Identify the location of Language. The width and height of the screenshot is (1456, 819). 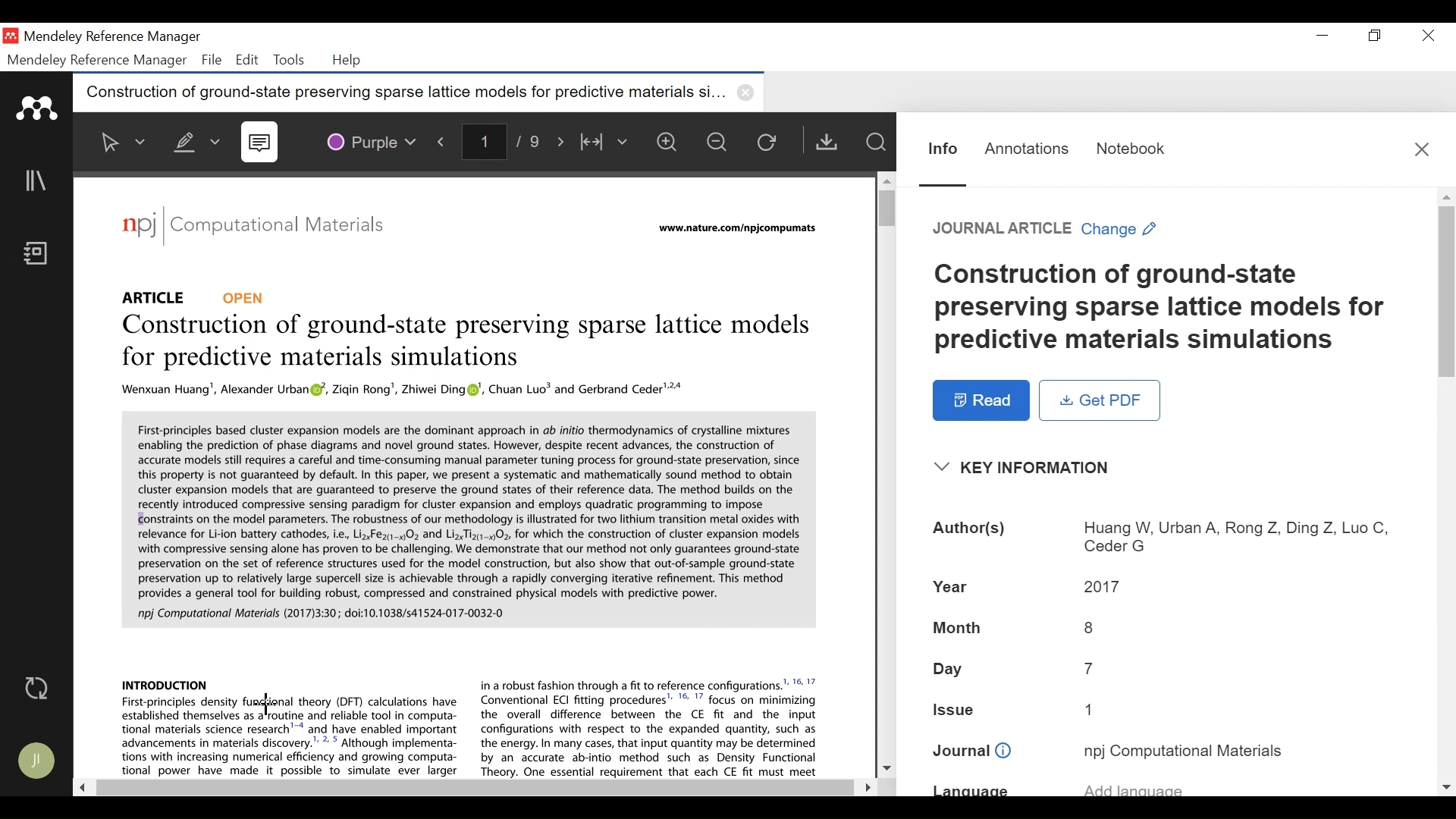
(1164, 789).